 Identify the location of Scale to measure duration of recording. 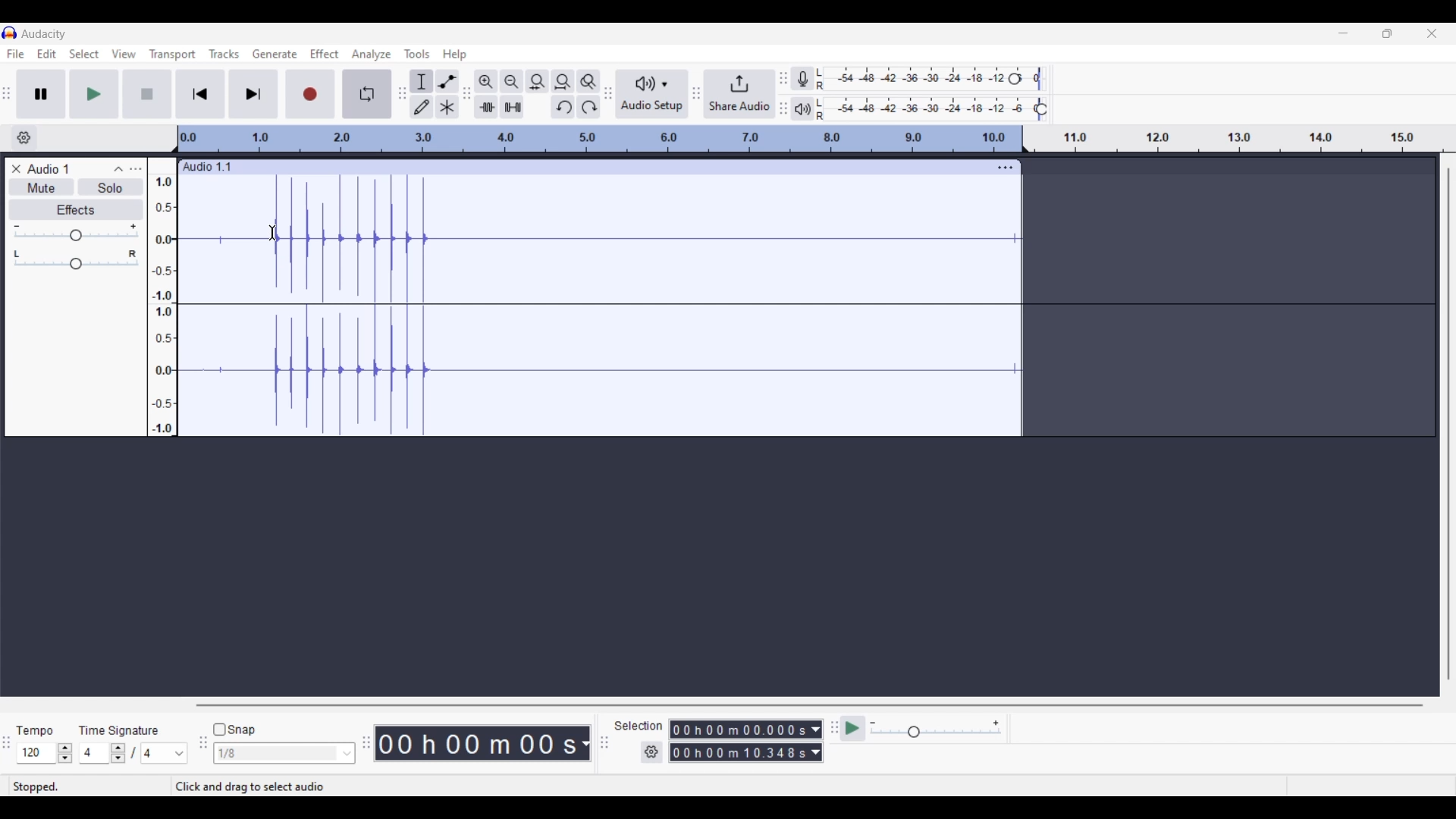
(1246, 139).